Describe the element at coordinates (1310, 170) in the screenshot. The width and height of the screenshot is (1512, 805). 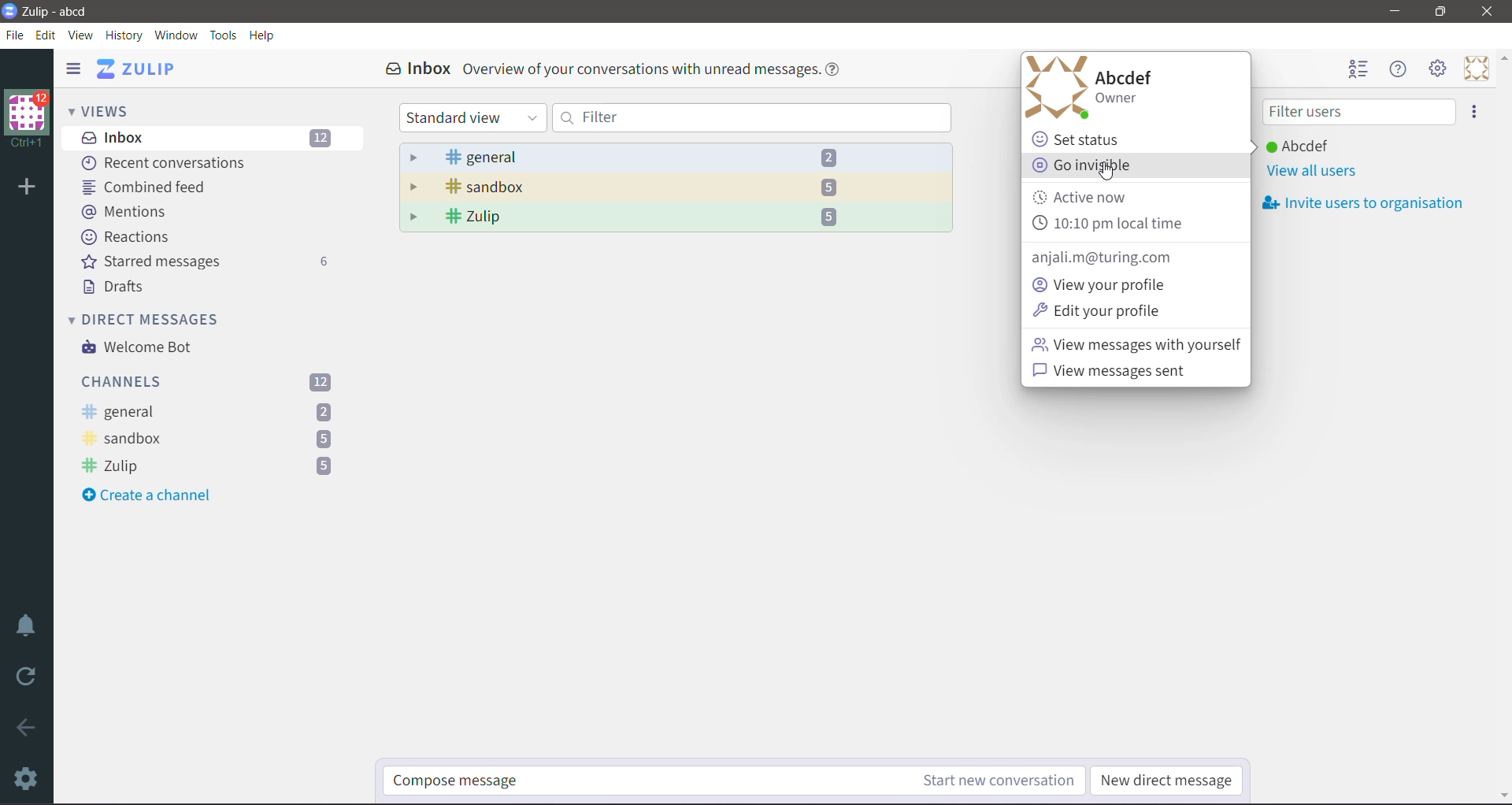
I see `View all users` at that location.